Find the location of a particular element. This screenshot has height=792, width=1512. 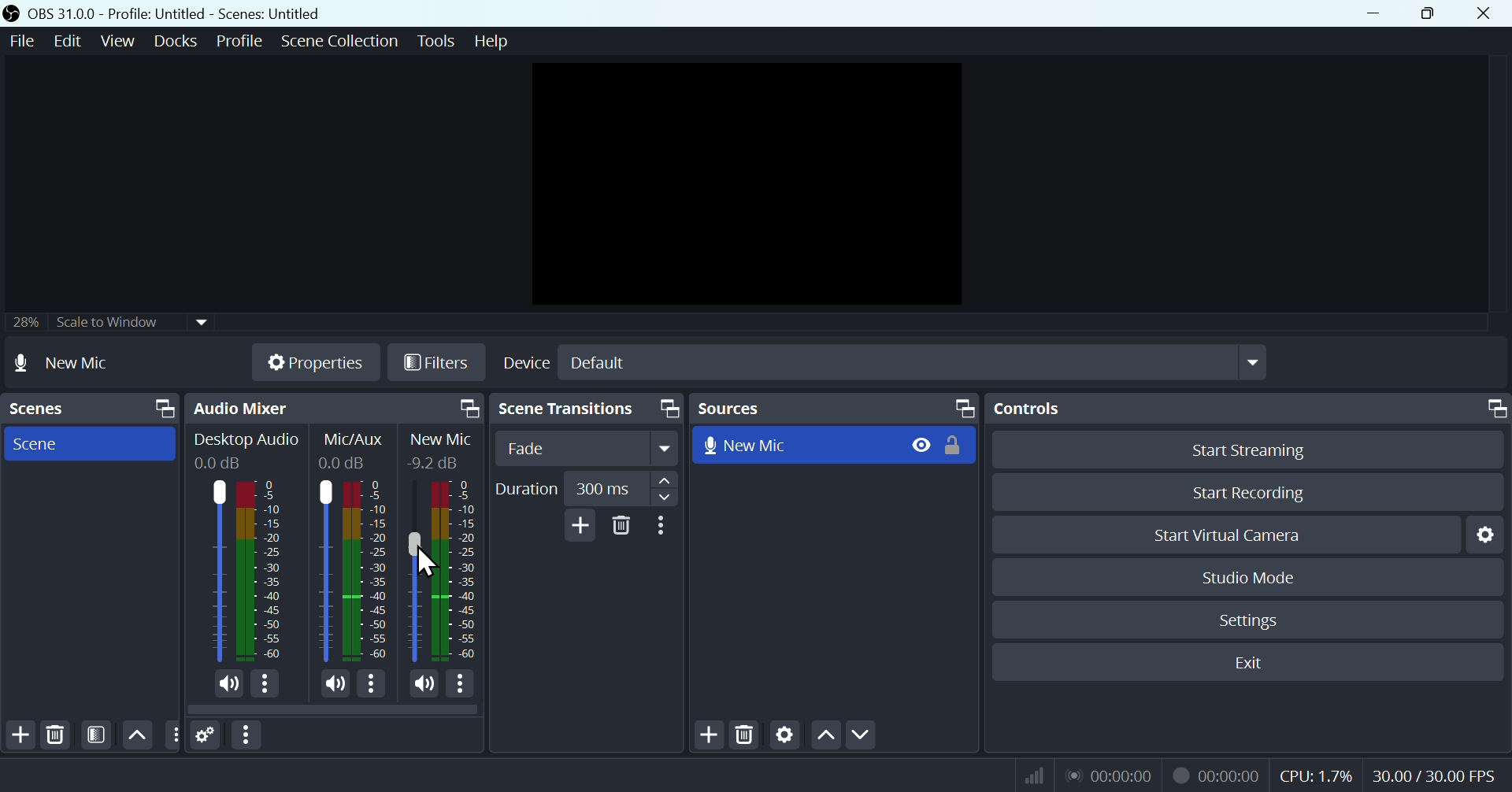

Settings is located at coordinates (1252, 620).